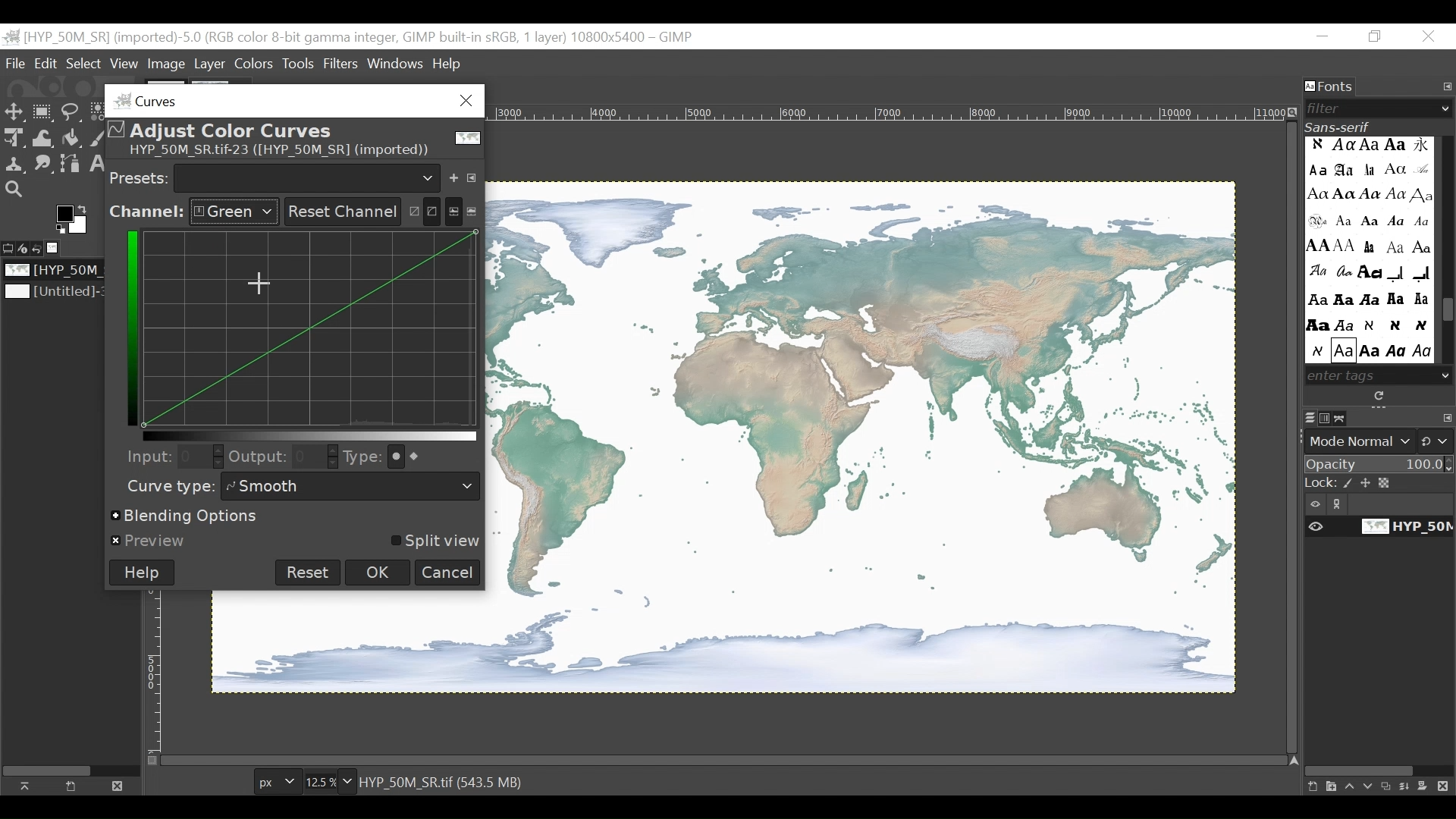 The image size is (1456, 819). What do you see at coordinates (343, 63) in the screenshot?
I see `Filters` at bounding box center [343, 63].